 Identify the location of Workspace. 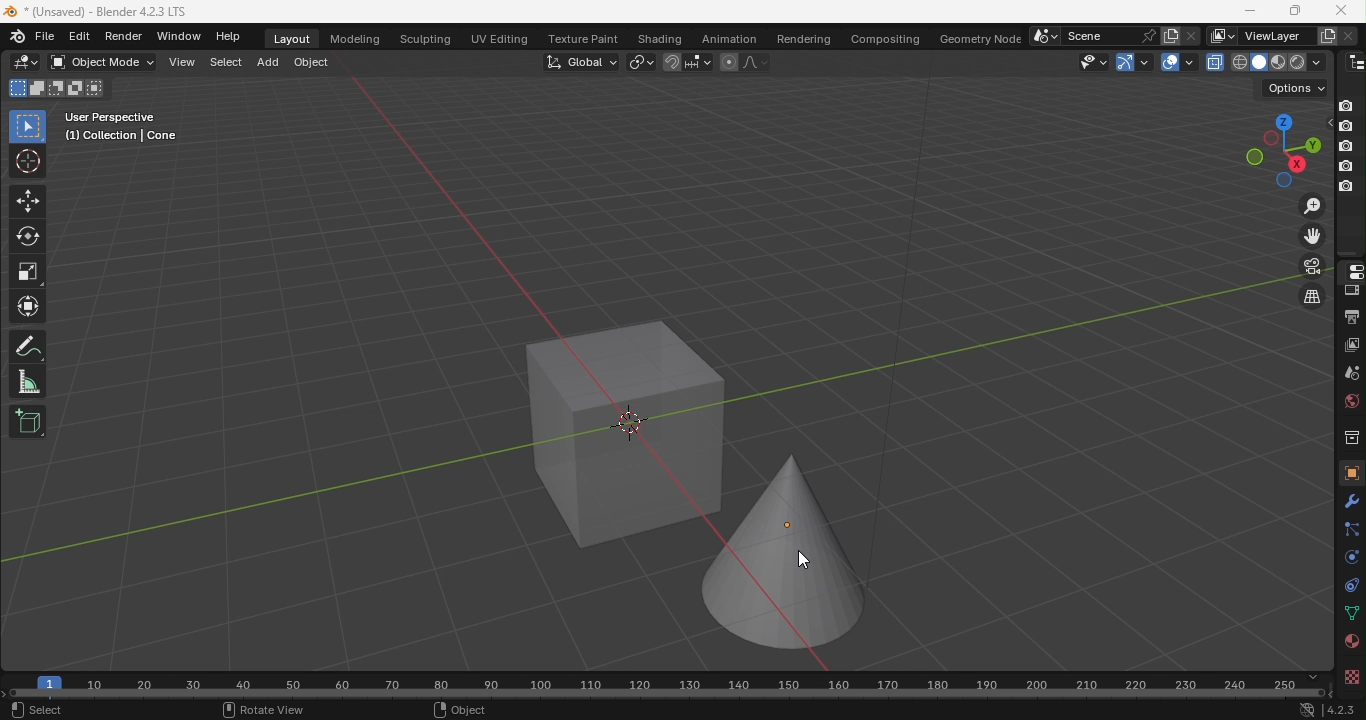
(646, 388).